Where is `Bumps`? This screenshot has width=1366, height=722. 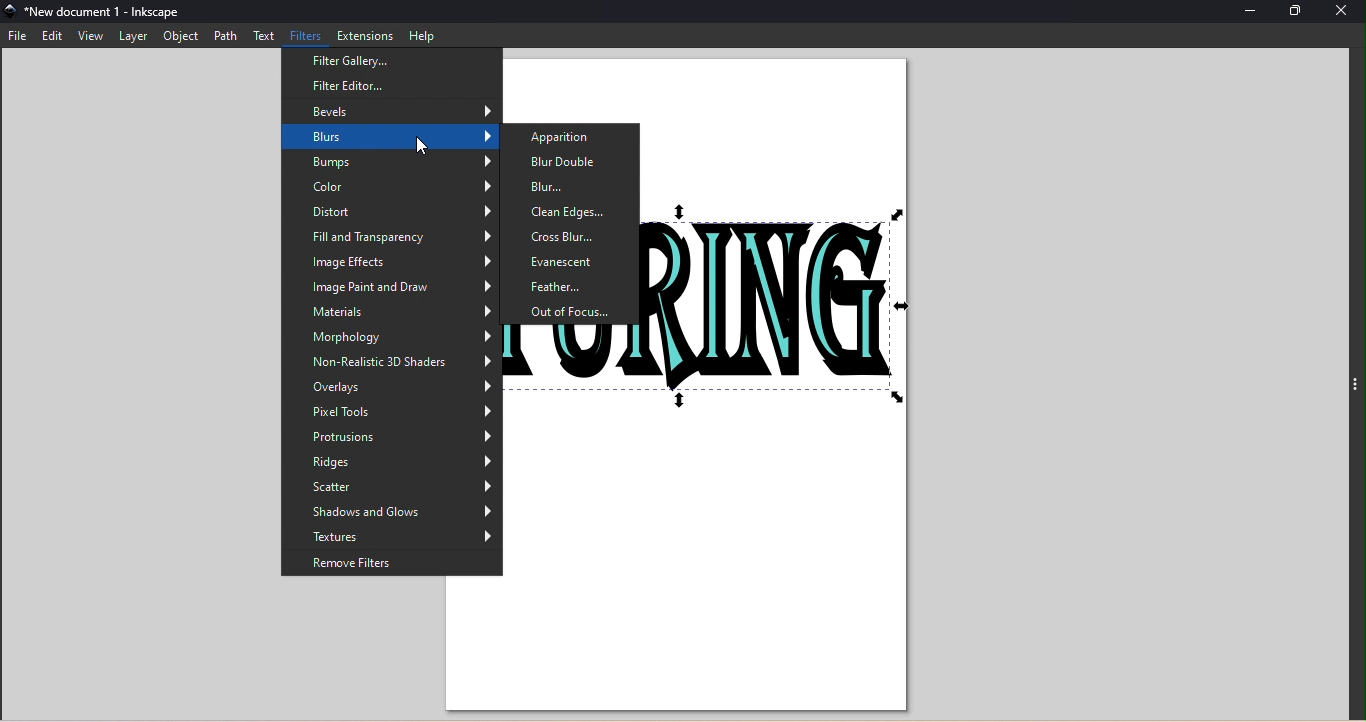 Bumps is located at coordinates (390, 163).